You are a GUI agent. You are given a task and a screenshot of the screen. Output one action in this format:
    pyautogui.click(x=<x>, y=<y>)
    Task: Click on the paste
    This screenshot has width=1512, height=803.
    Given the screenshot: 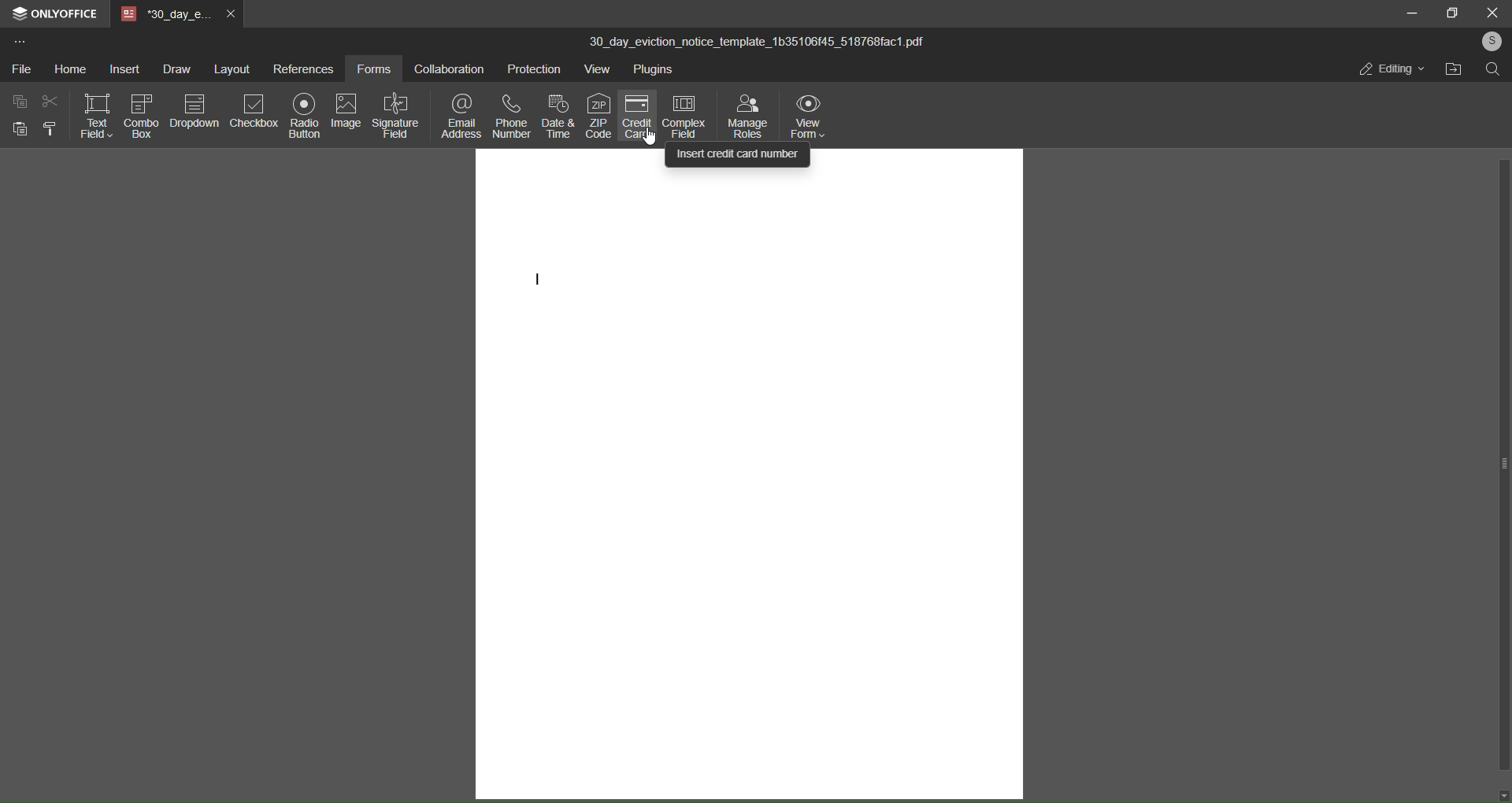 What is the action you would take?
    pyautogui.click(x=17, y=129)
    